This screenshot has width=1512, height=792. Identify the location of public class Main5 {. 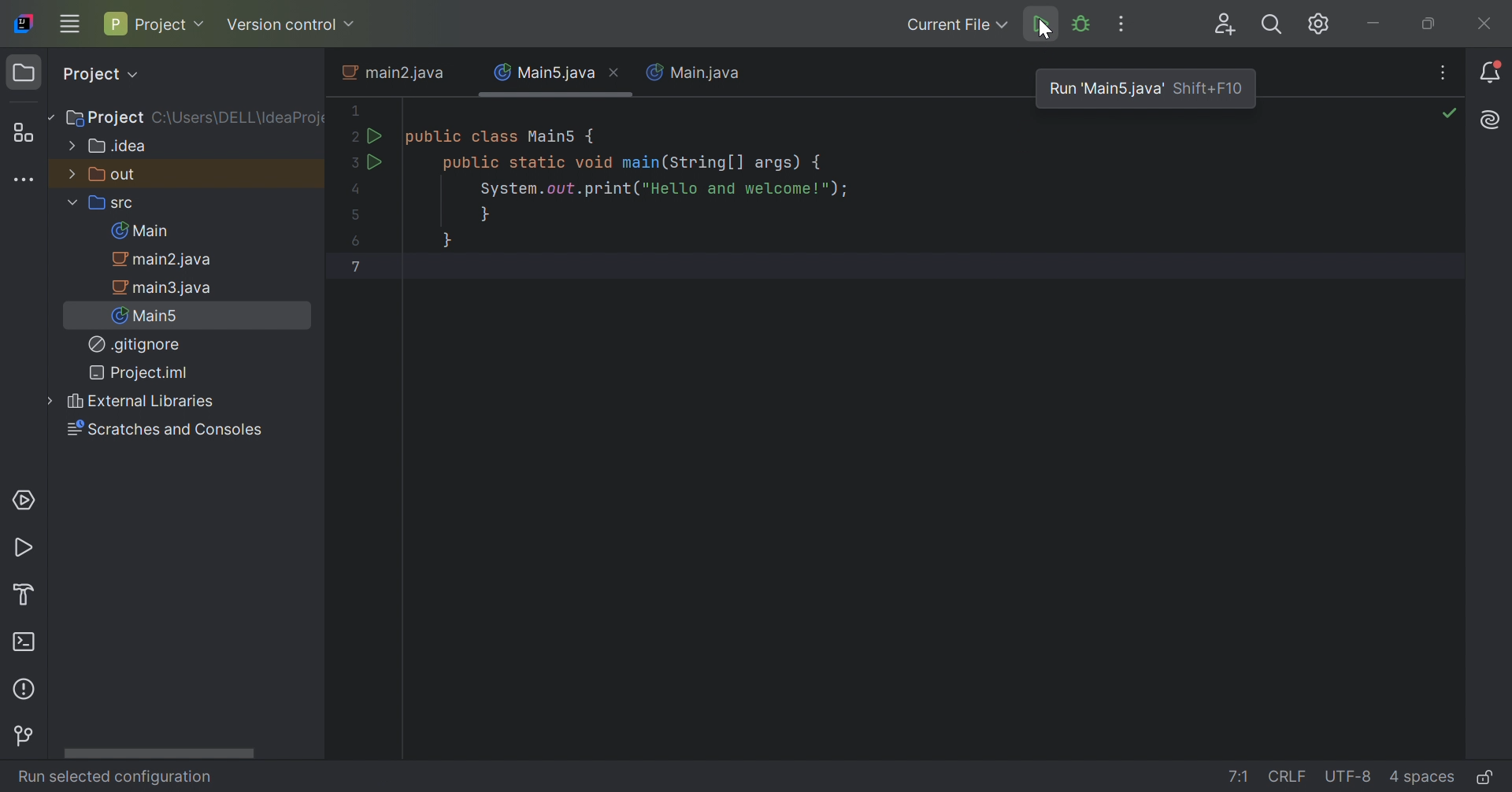
(503, 138).